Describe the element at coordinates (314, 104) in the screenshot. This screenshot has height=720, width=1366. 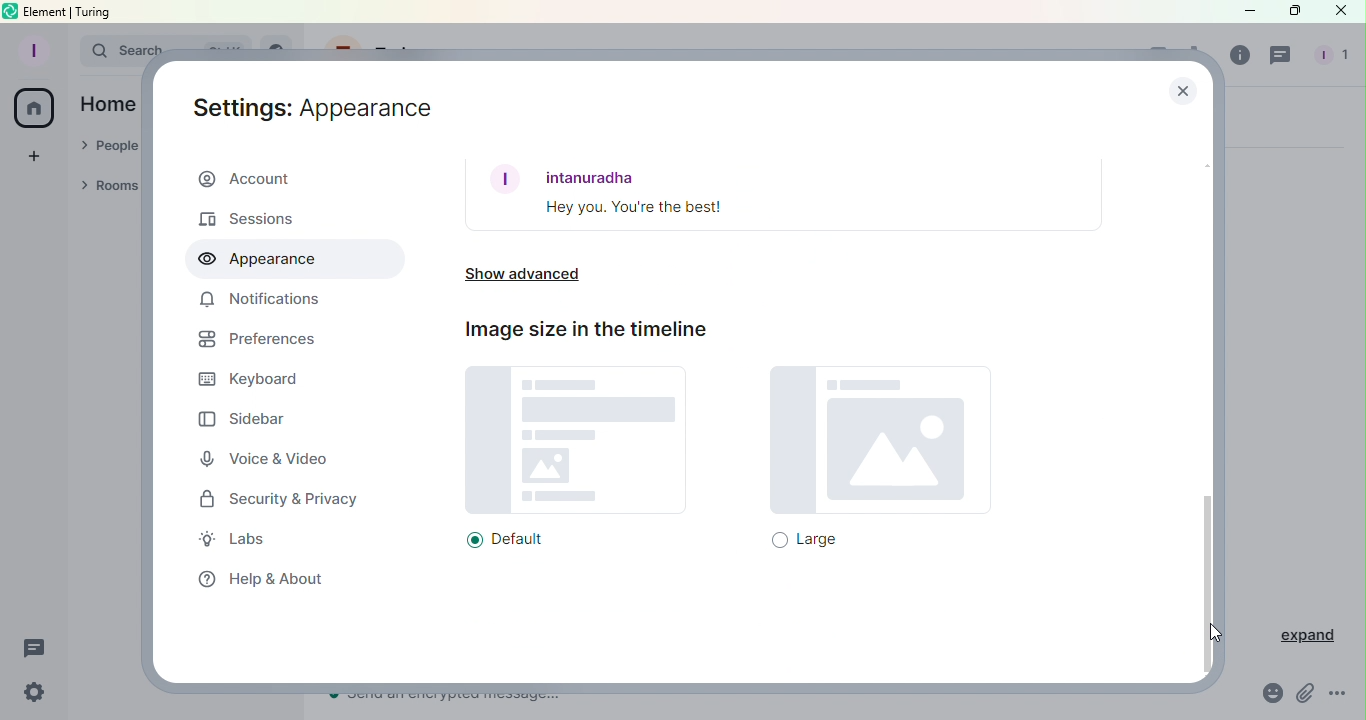
I see `Settings: Appearance` at that location.